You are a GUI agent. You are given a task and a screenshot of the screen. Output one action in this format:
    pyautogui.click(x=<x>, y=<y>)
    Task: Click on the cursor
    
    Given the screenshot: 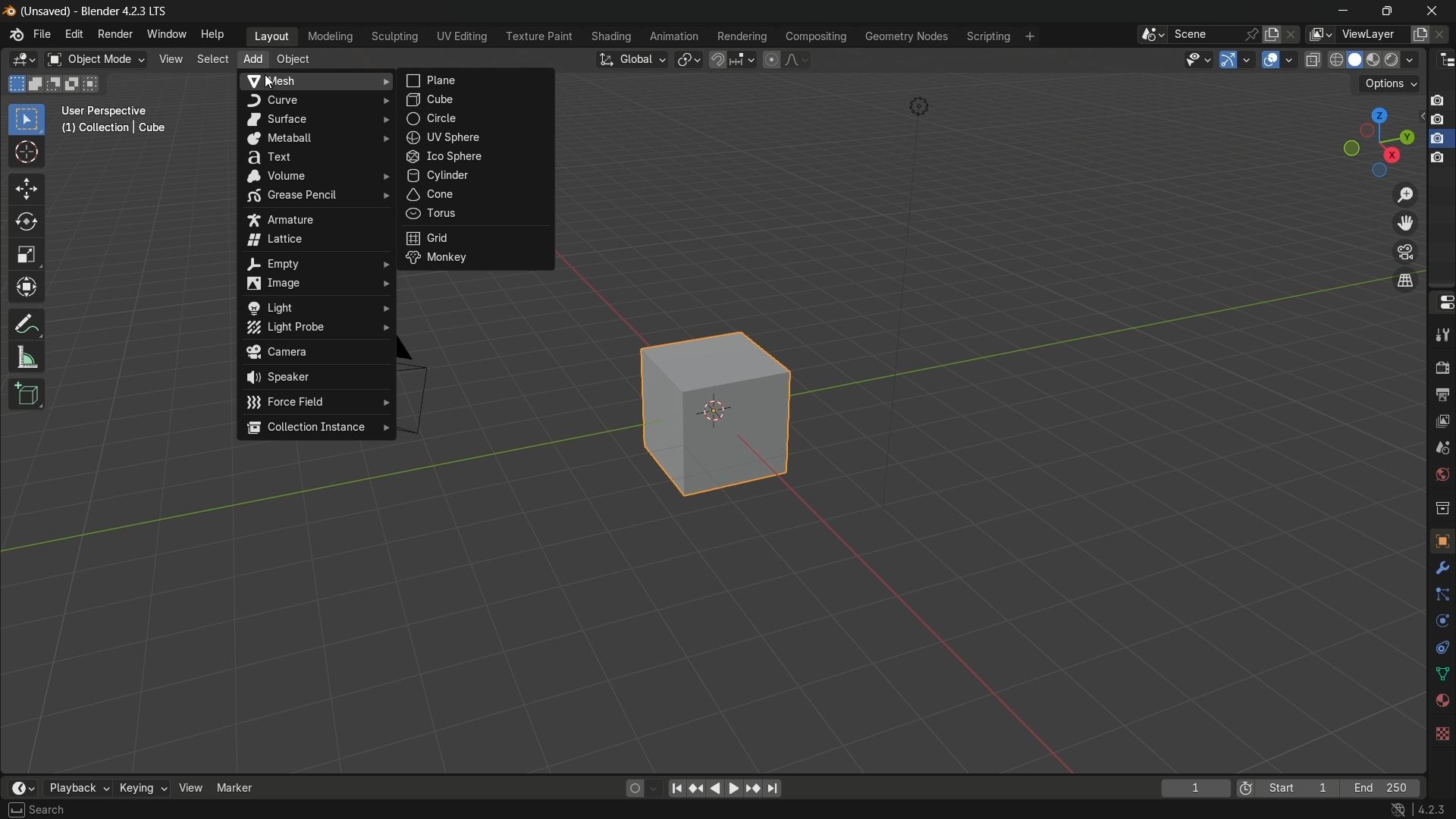 What is the action you would take?
    pyautogui.click(x=268, y=83)
    